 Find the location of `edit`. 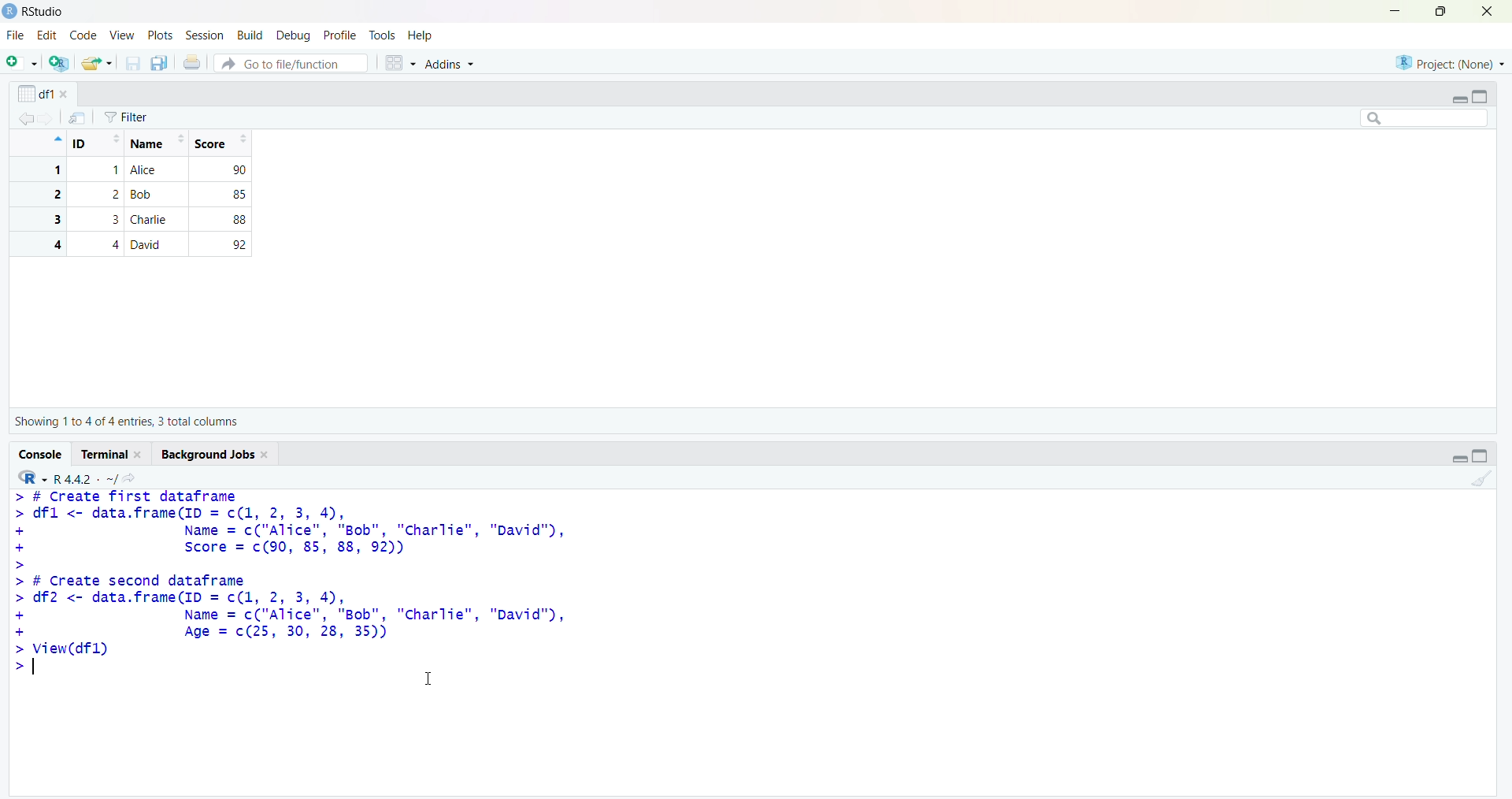

edit is located at coordinates (47, 35).